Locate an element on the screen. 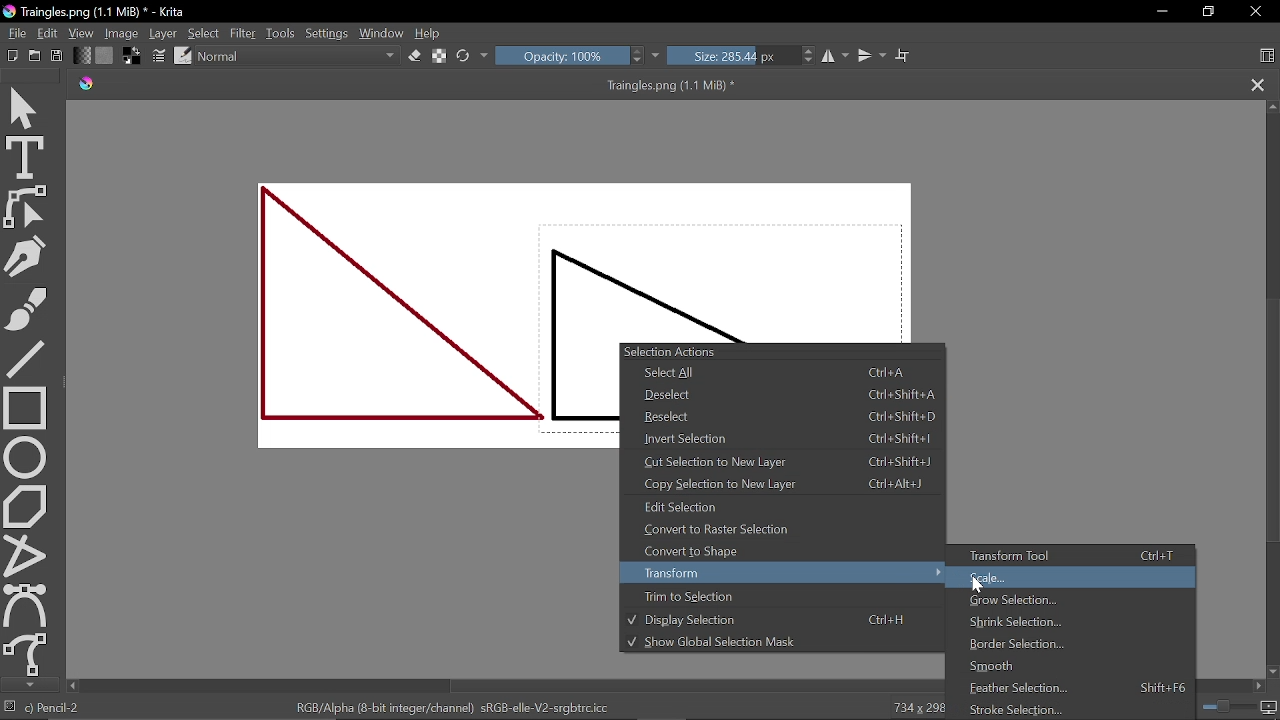  Gradient fill is located at coordinates (82, 56).